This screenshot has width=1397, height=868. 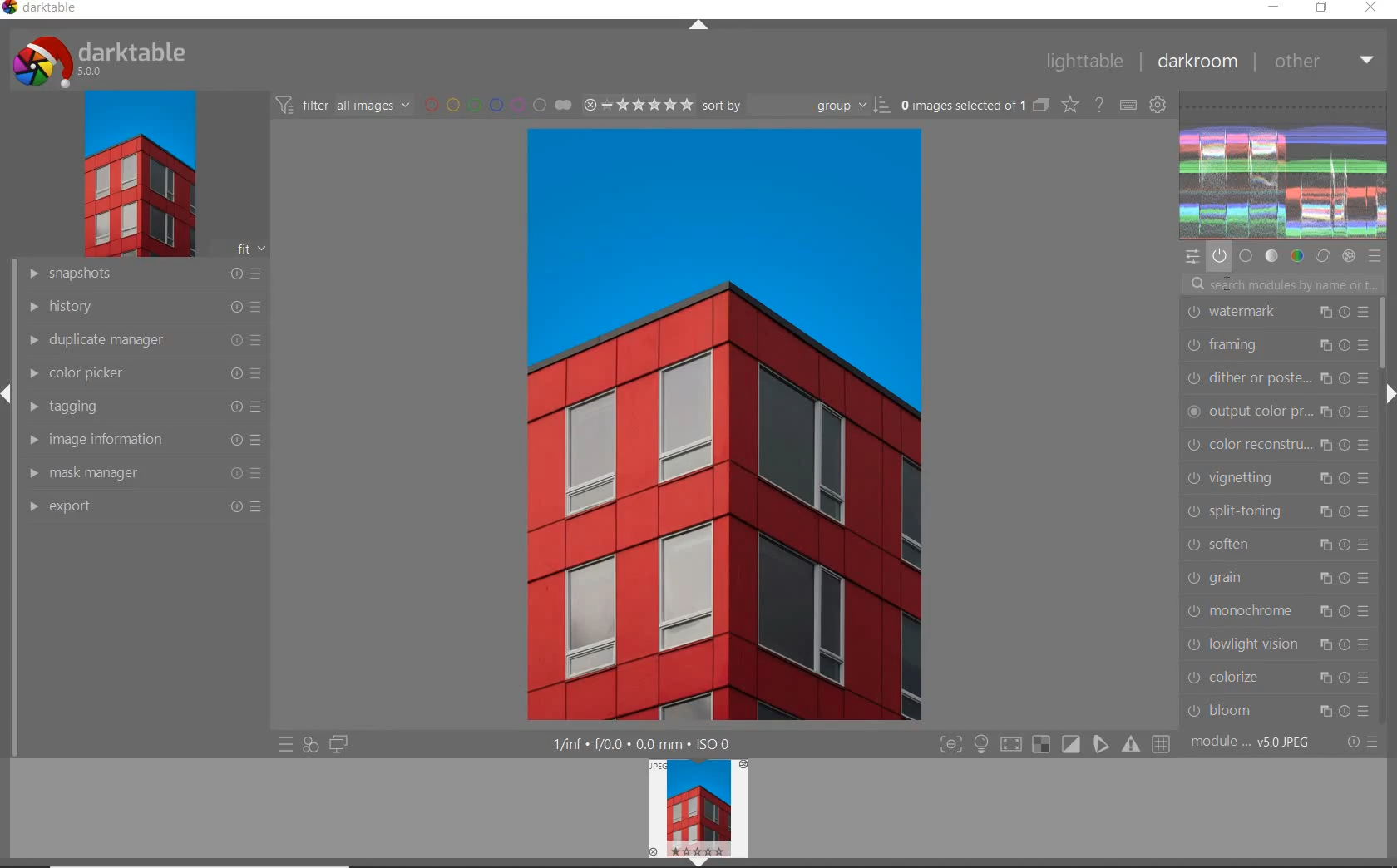 What do you see at coordinates (1276, 711) in the screenshot?
I see `bloom` at bounding box center [1276, 711].